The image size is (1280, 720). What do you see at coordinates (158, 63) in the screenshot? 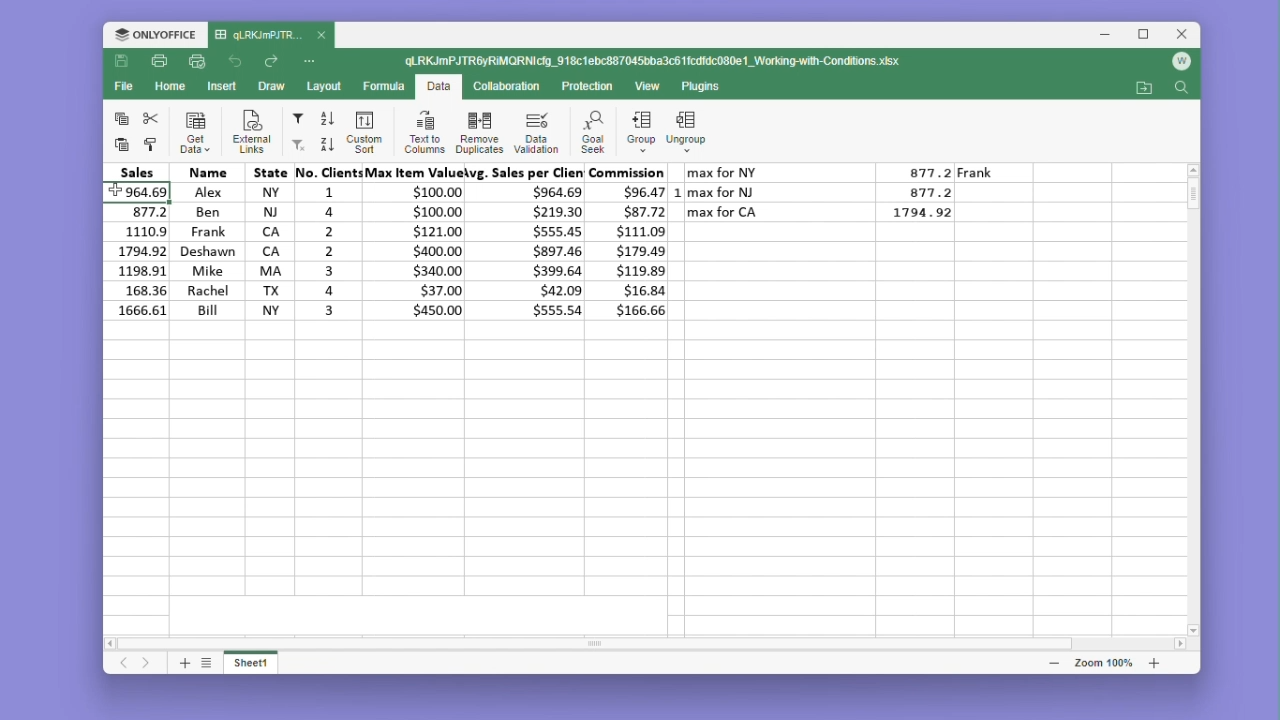
I see `Print file` at bounding box center [158, 63].